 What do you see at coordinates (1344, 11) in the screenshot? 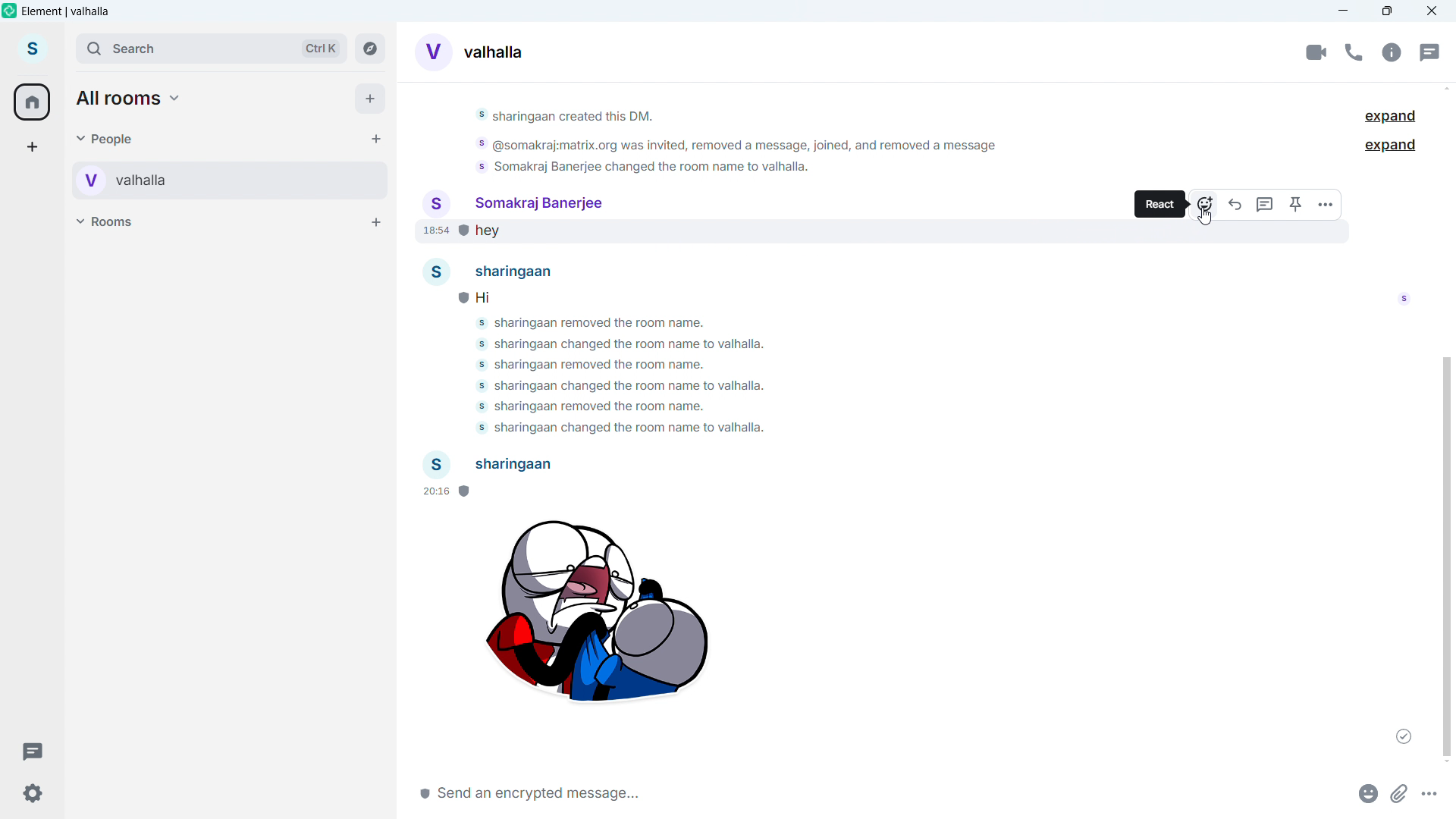
I see `minimize` at bounding box center [1344, 11].